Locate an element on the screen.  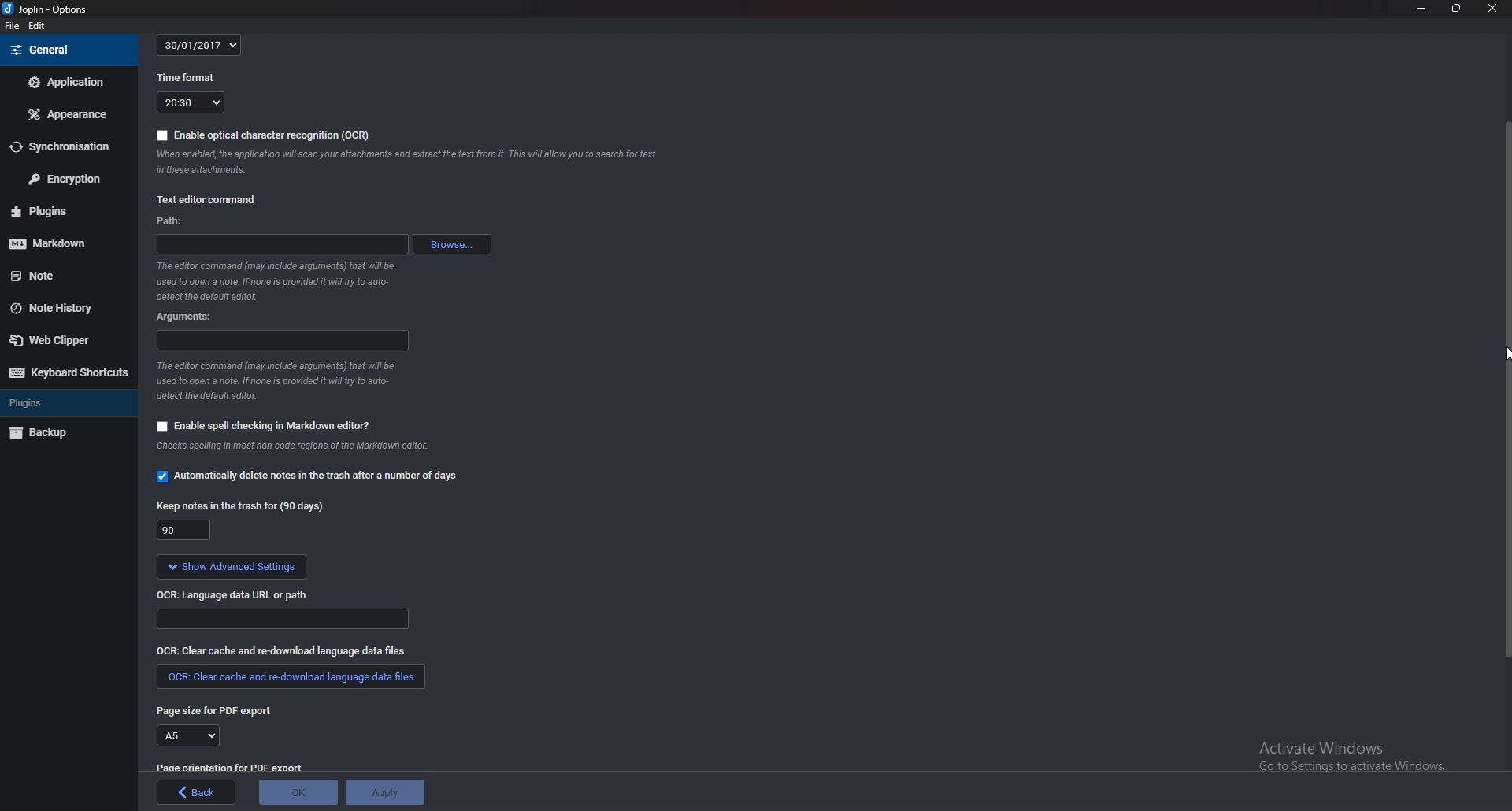
file is located at coordinates (13, 26).